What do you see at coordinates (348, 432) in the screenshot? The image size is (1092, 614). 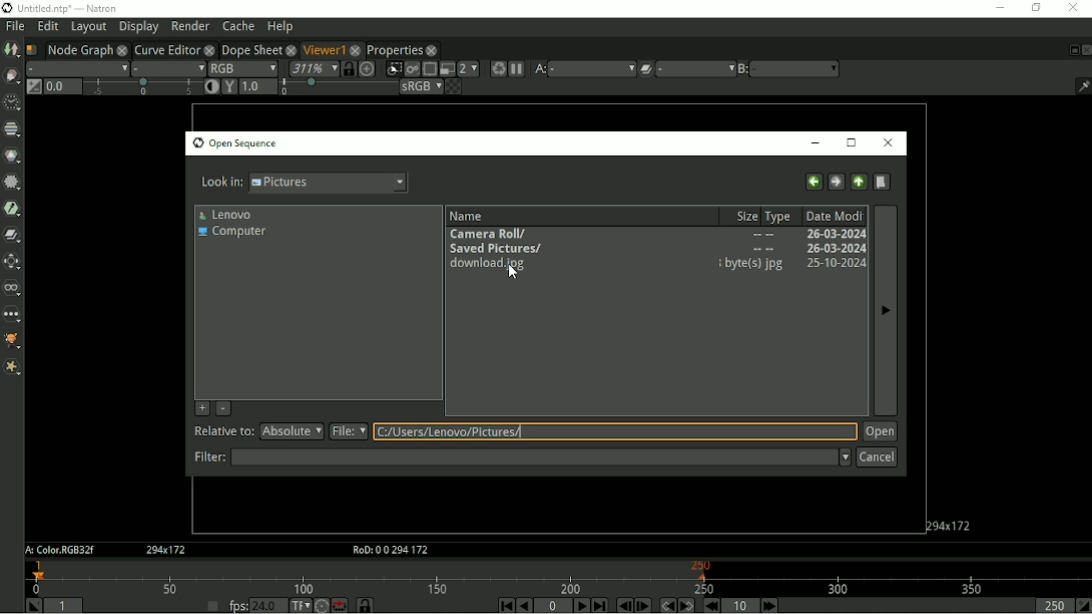 I see `file:` at bounding box center [348, 432].